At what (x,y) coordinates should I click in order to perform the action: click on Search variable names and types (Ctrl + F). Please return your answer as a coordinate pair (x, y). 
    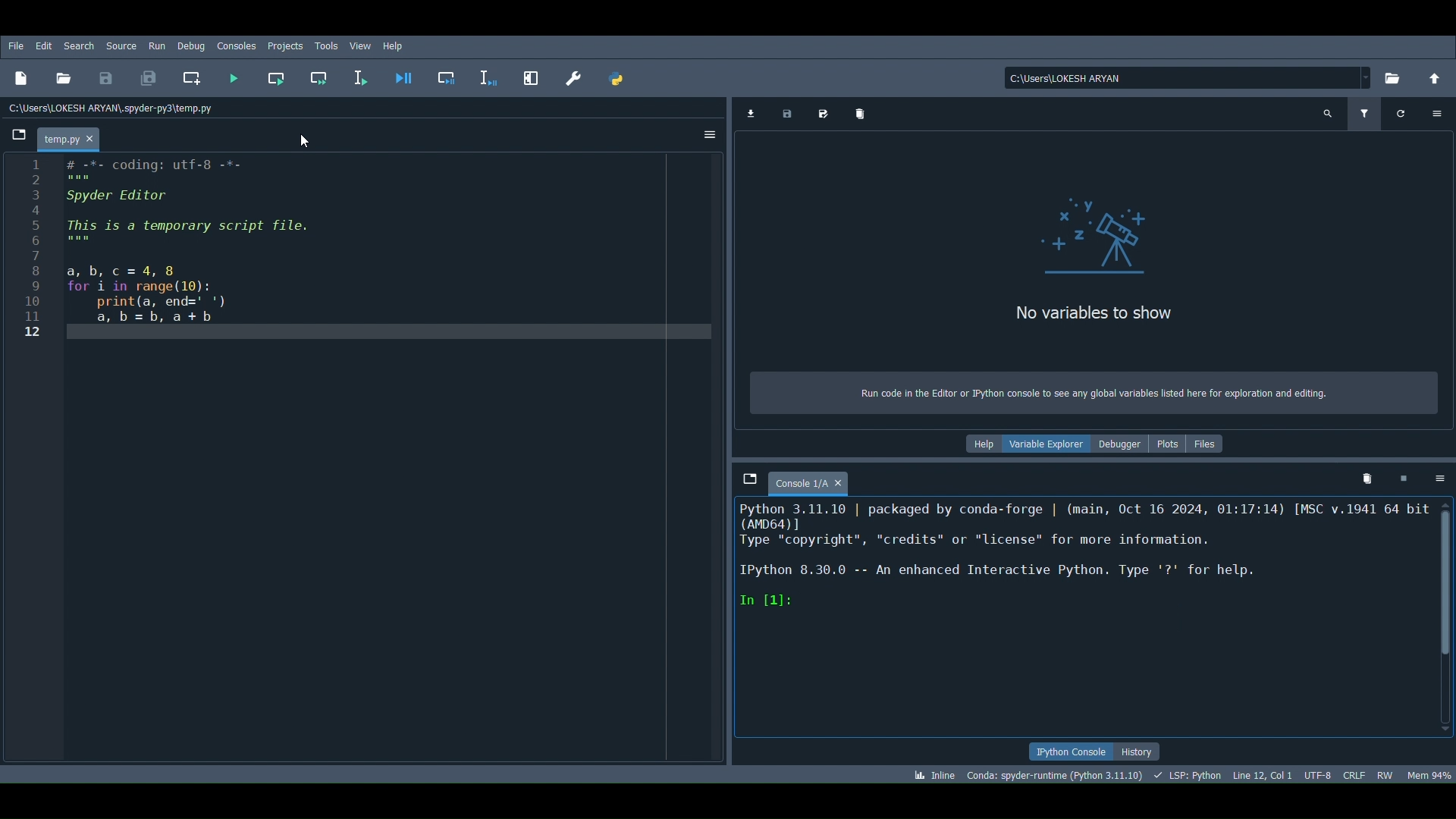
    Looking at the image, I should click on (1328, 114).